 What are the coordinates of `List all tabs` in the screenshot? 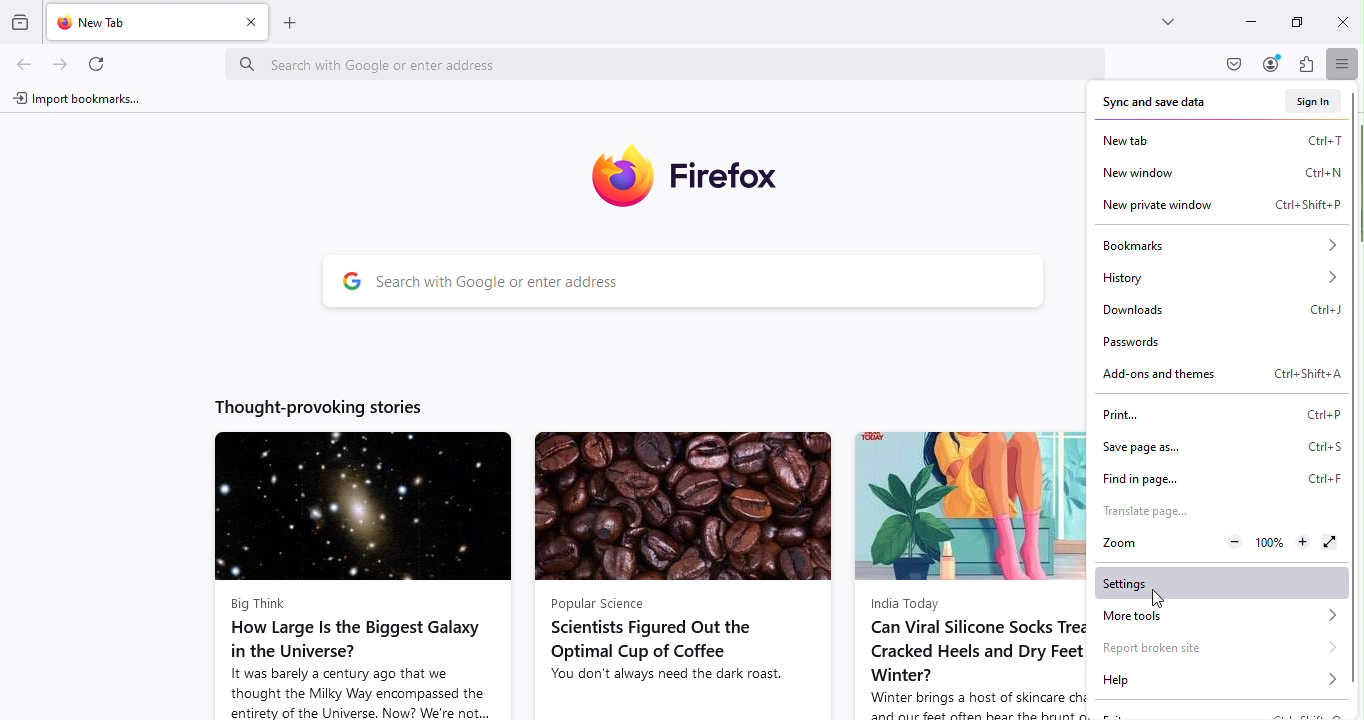 It's located at (1162, 21).